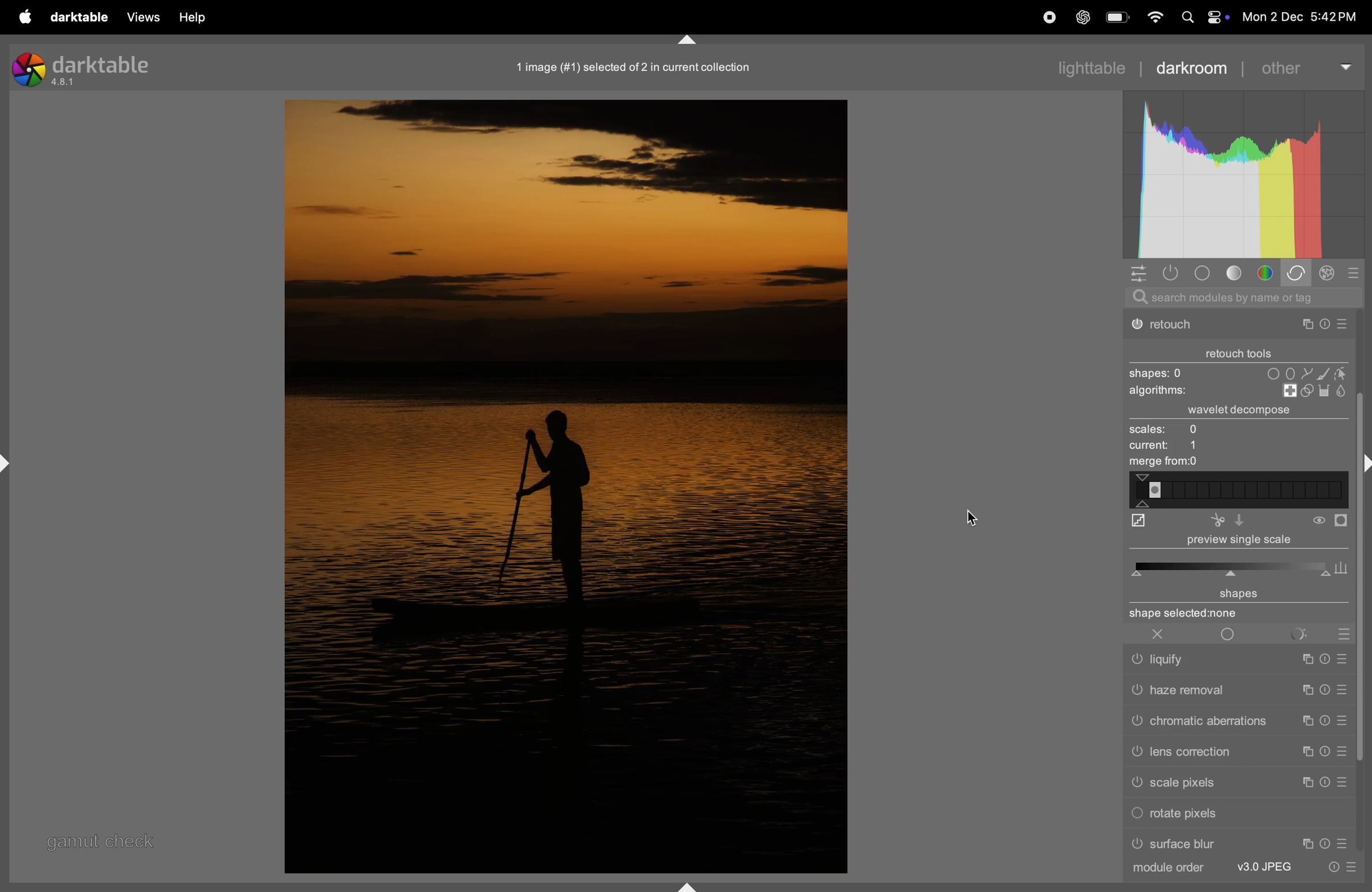 This screenshot has width=1372, height=892. Describe the element at coordinates (1171, 873) in the screenshot. I see `module` at that location.